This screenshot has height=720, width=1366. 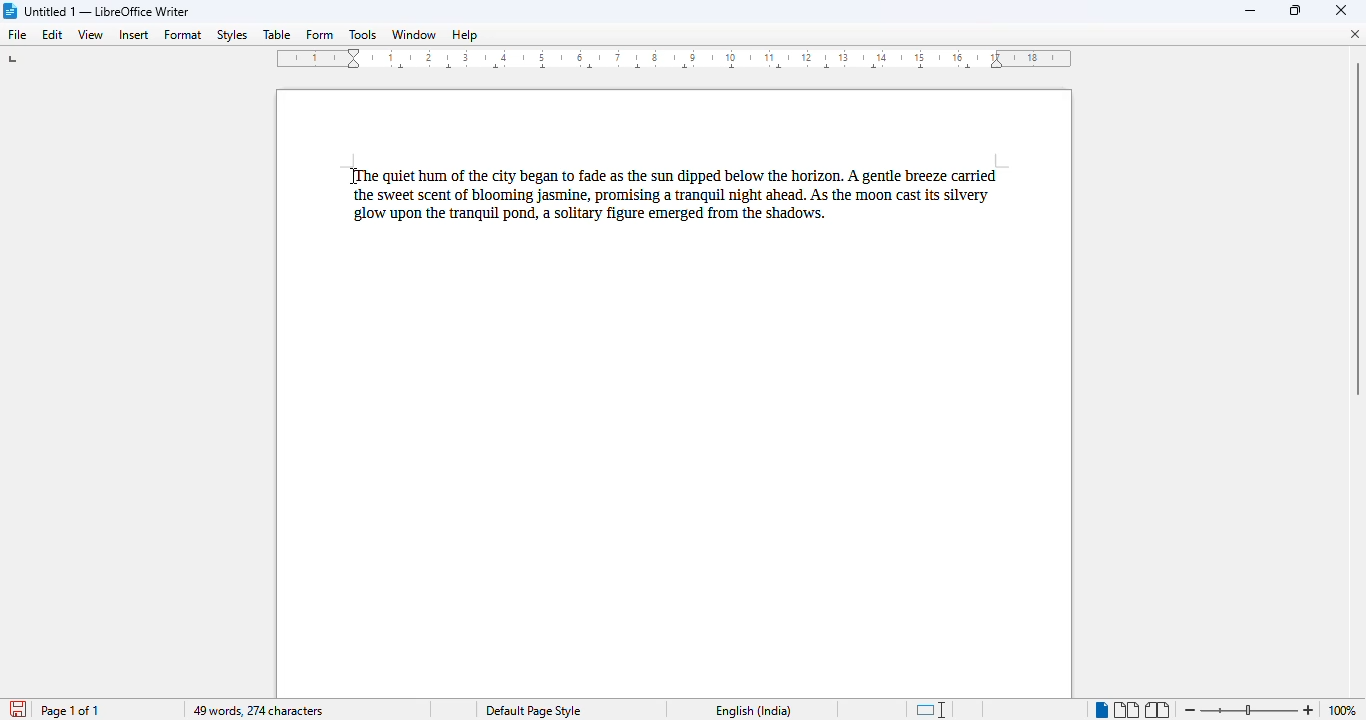 What do you see at coordinates (1297, 10) in the screenshot?
I see `maximize` at bounding box center [1297, 10].